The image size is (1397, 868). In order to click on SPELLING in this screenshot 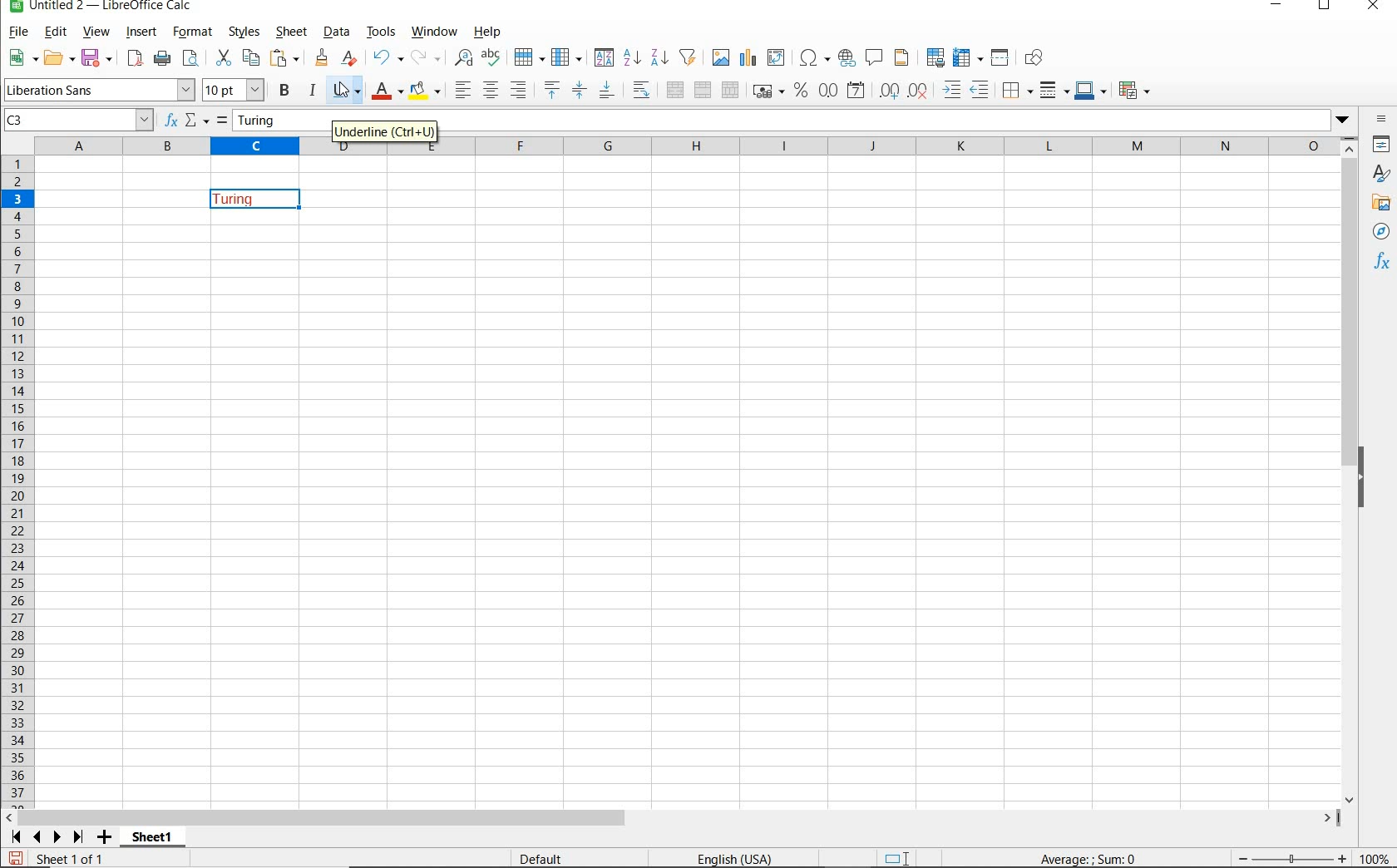, I will do `click(492, 59)`.